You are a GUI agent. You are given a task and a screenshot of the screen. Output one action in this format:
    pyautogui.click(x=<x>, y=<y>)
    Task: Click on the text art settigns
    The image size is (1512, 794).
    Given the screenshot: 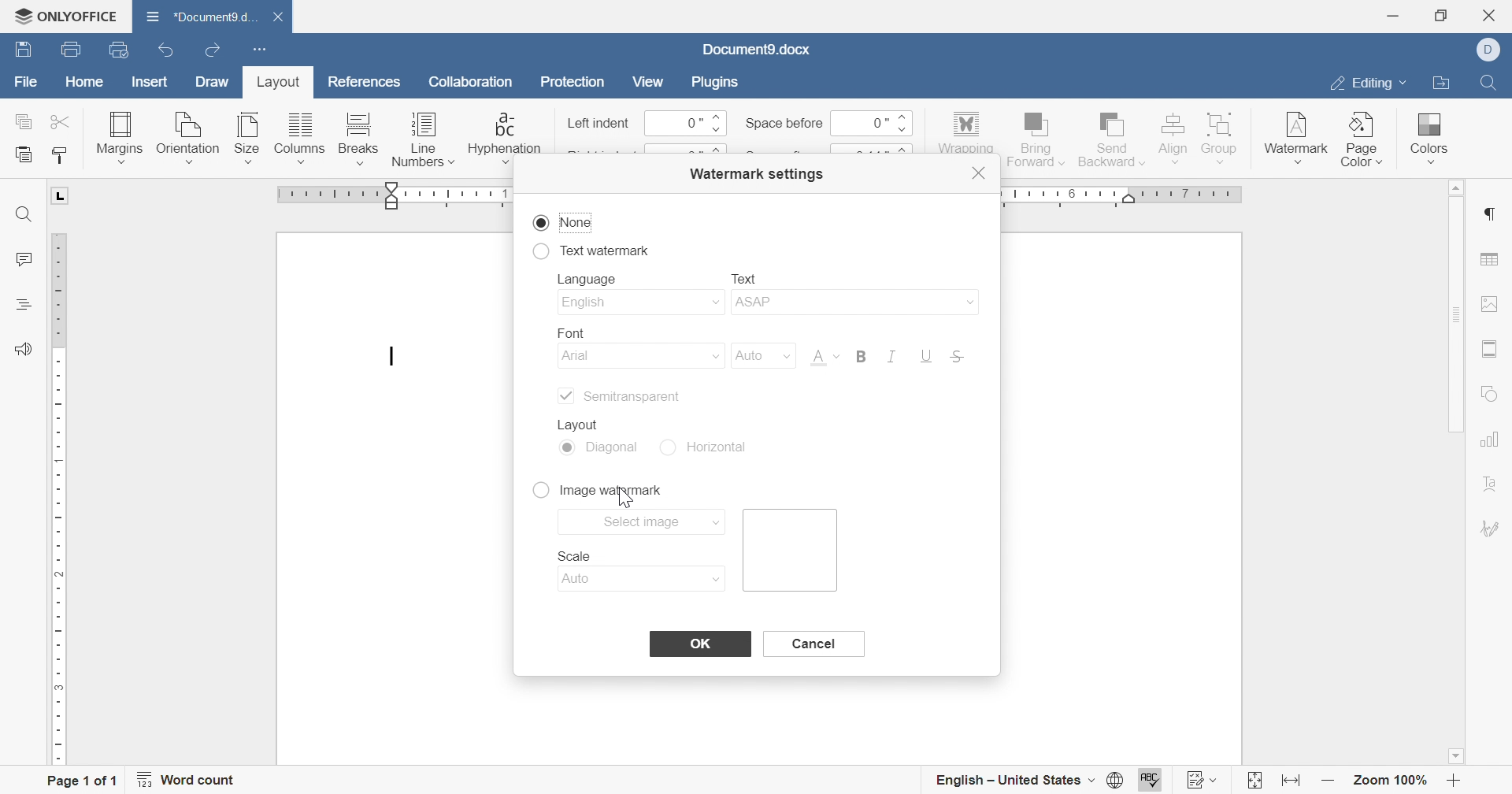 What is the action you would take?
    pyautogui.click(x=1491, y=484)
    